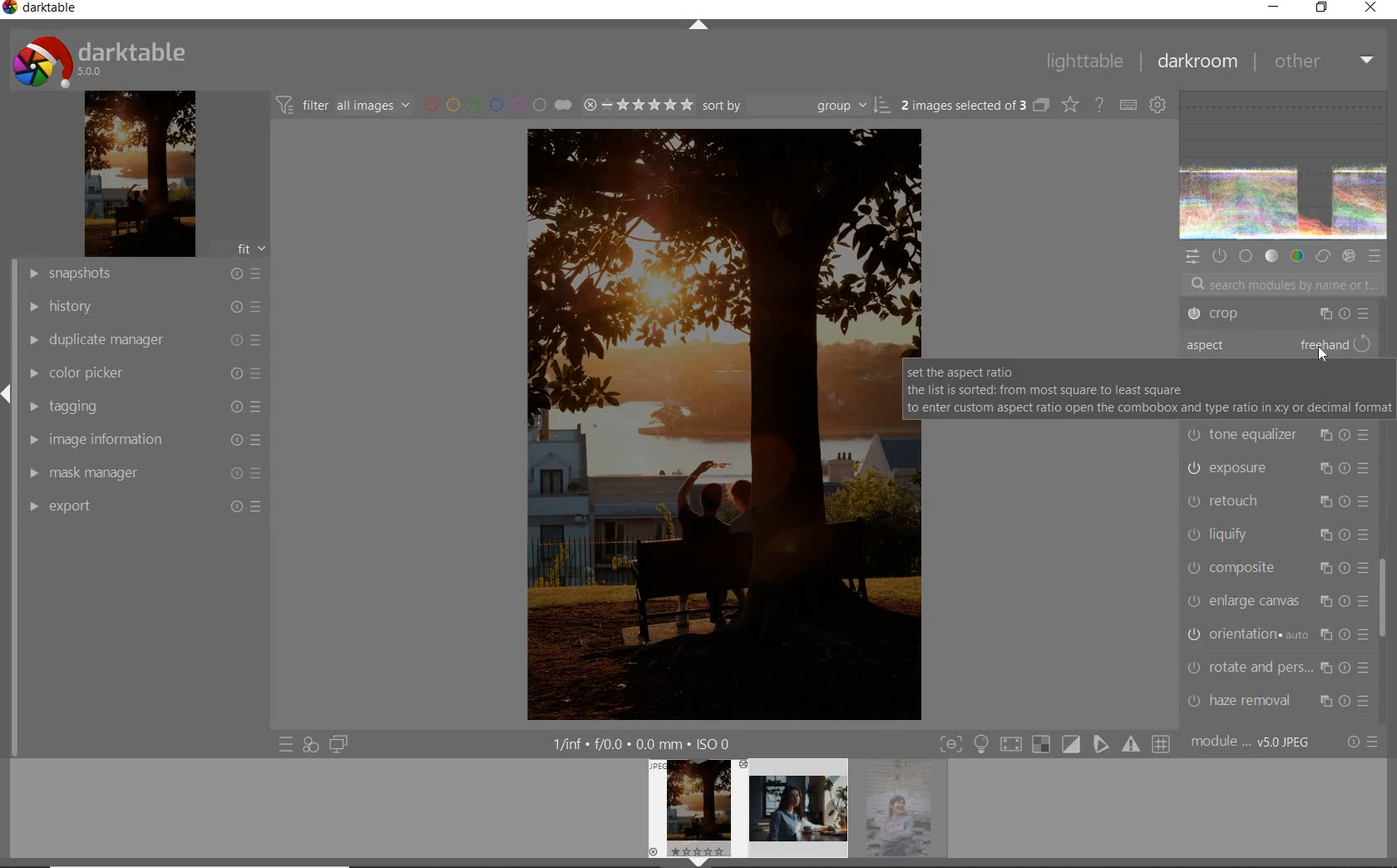 Image resolution: width=1397 pixels, height=868 pixels. What do you see at coordinates (1322, 358) in the screenshot?
I see `cursor` at bounding box center [1322, 358].